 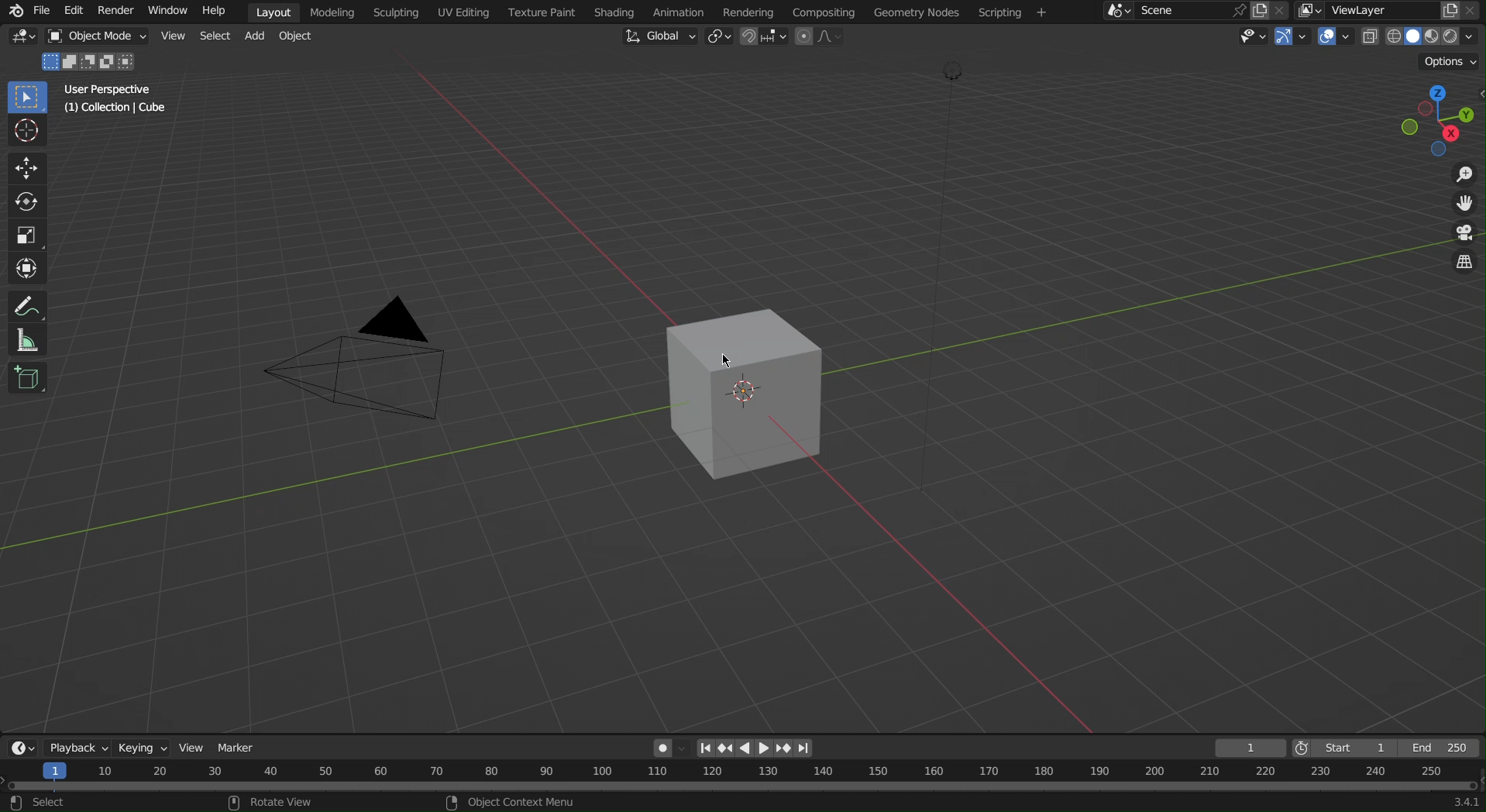 What do you see at coordinates (74, 745) in the screenshot?
I see `Playback ` at bounding box center [74, 745].